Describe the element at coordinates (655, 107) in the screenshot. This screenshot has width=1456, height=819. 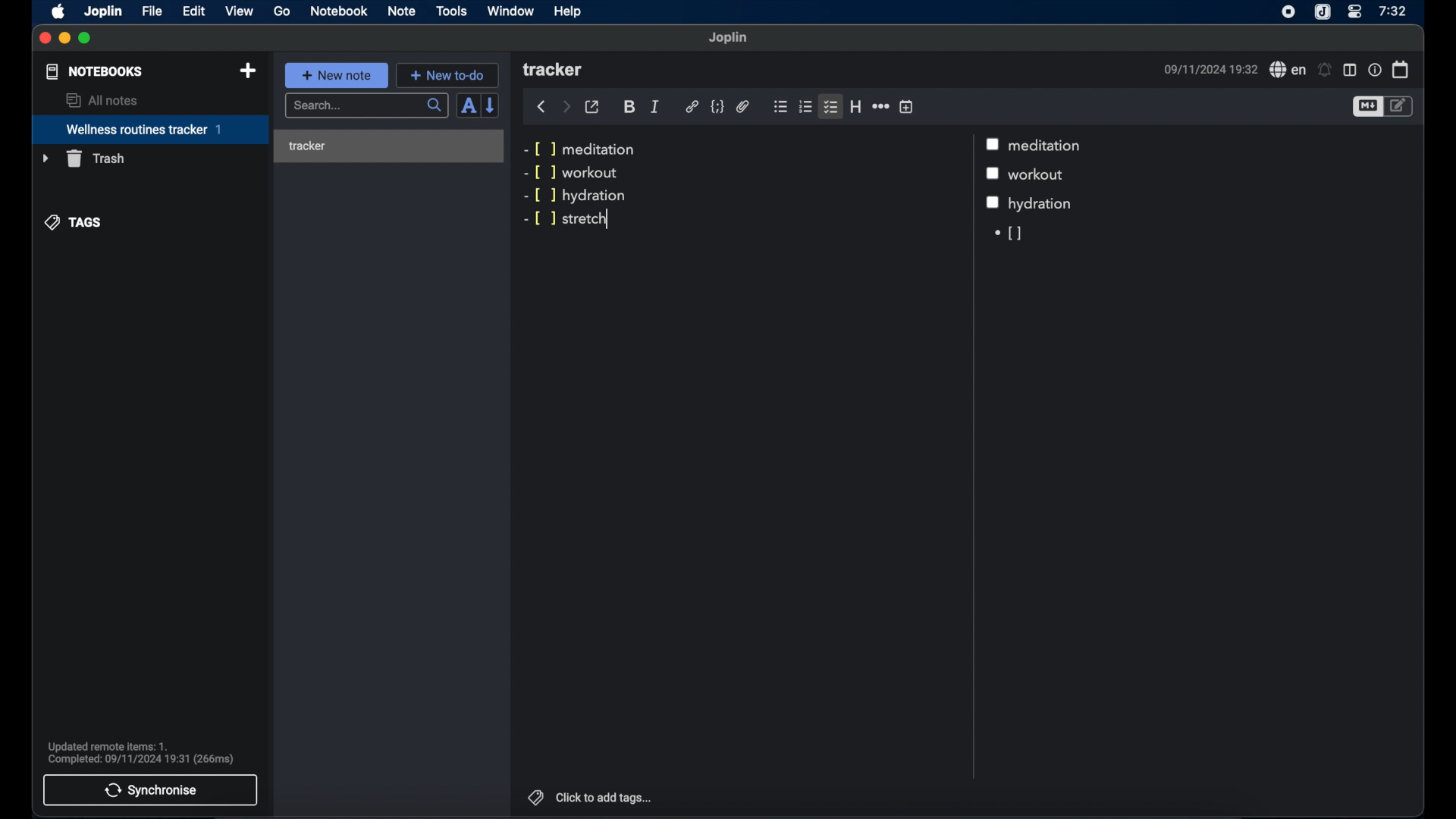
I see `italic` at that location.